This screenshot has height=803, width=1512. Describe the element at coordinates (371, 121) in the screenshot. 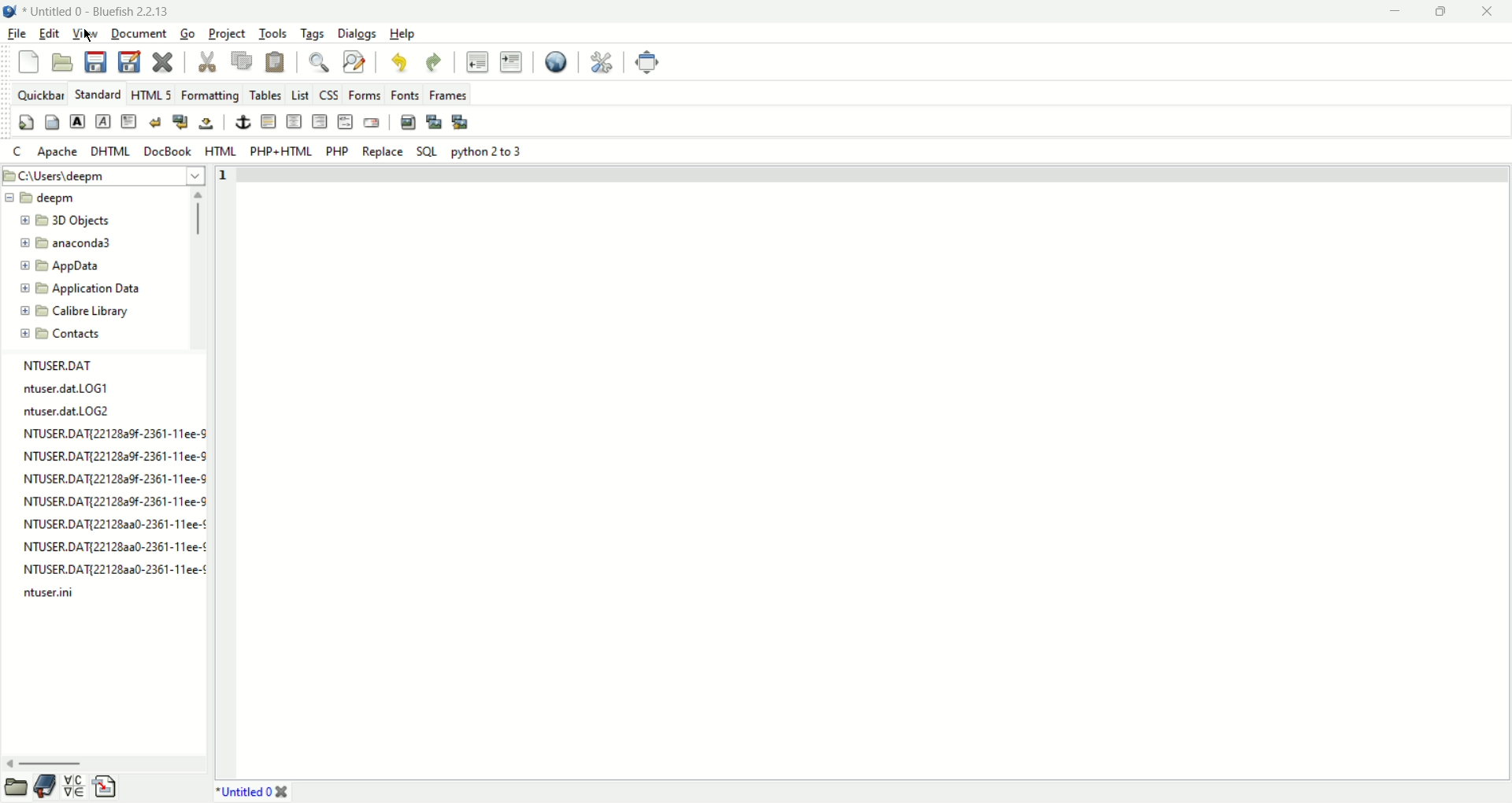

I see `email` at that location.